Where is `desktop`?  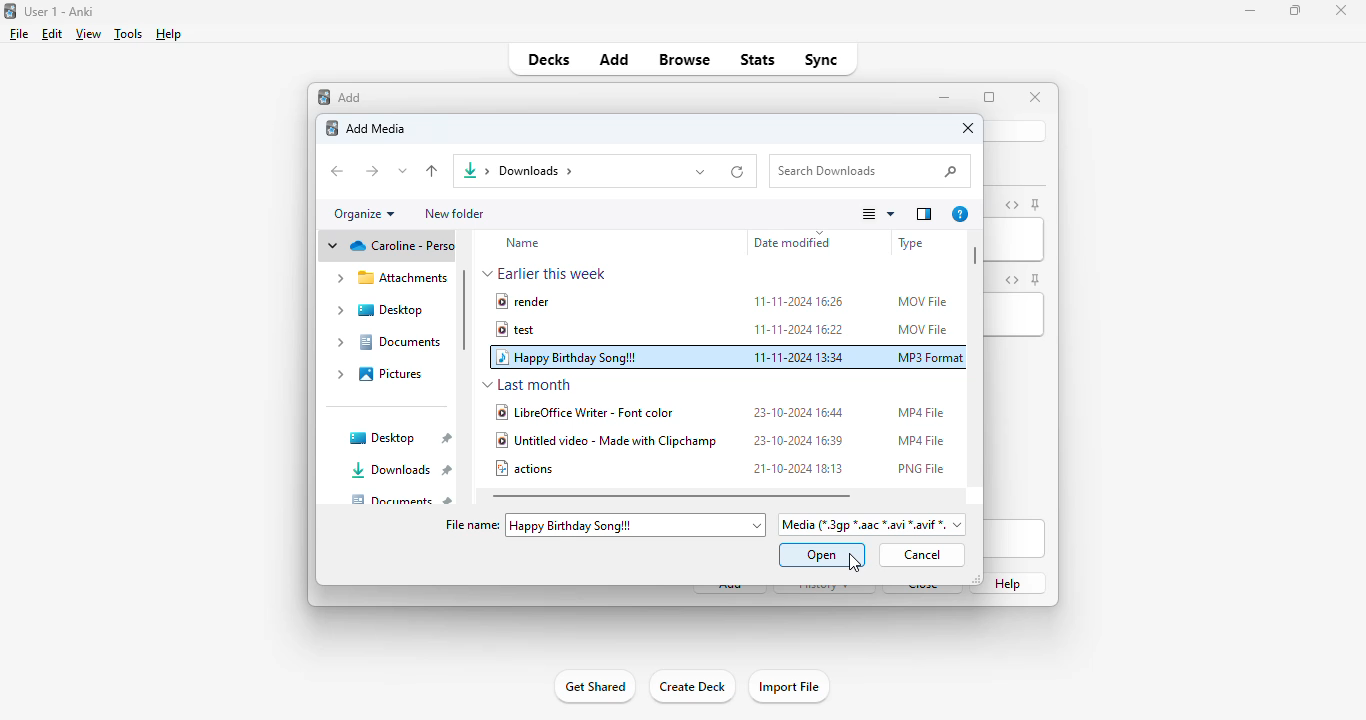 desktop is located at coordinates (400, 437).